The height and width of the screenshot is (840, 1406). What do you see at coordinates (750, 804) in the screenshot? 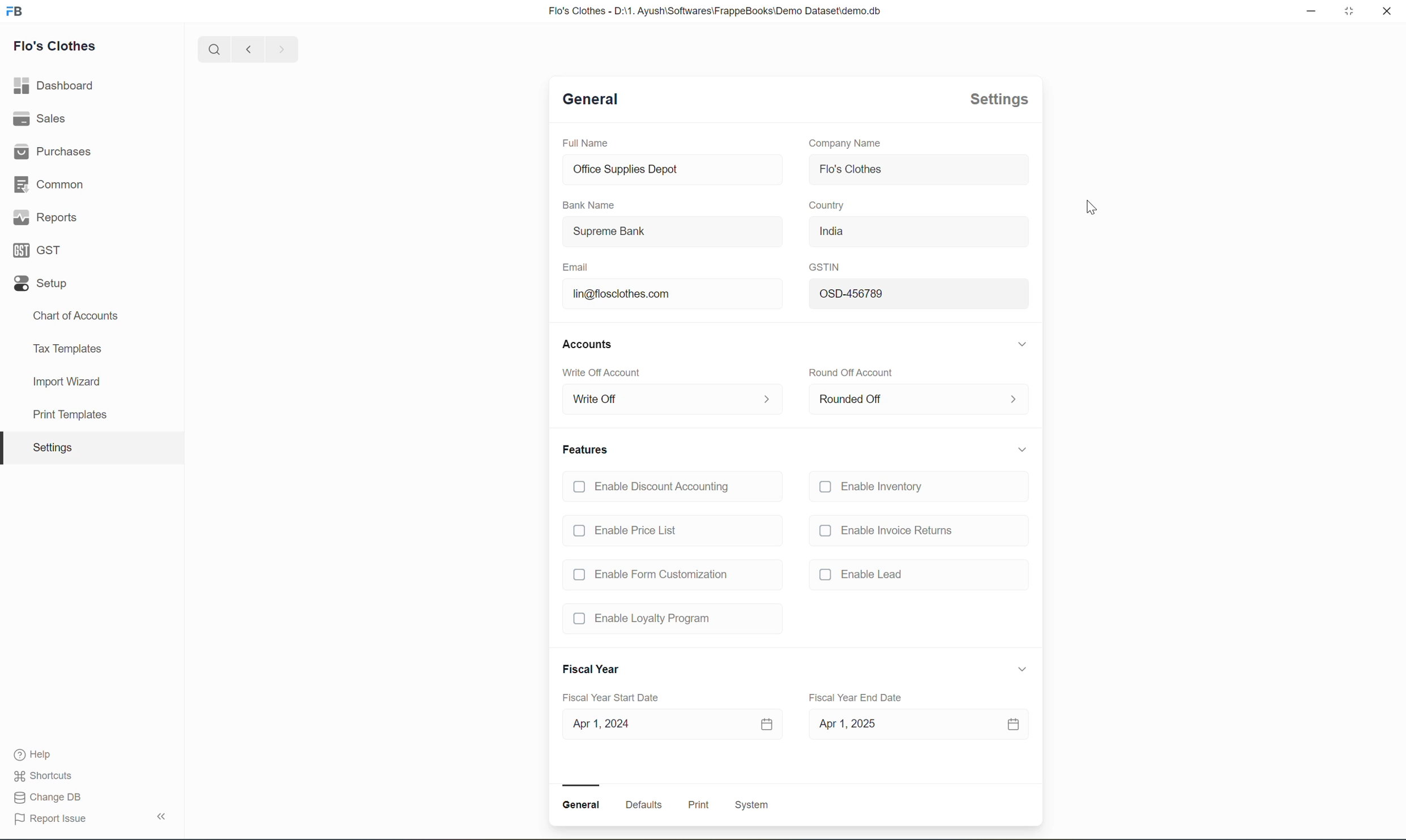
I see `System` at bounding box center [750, 804].